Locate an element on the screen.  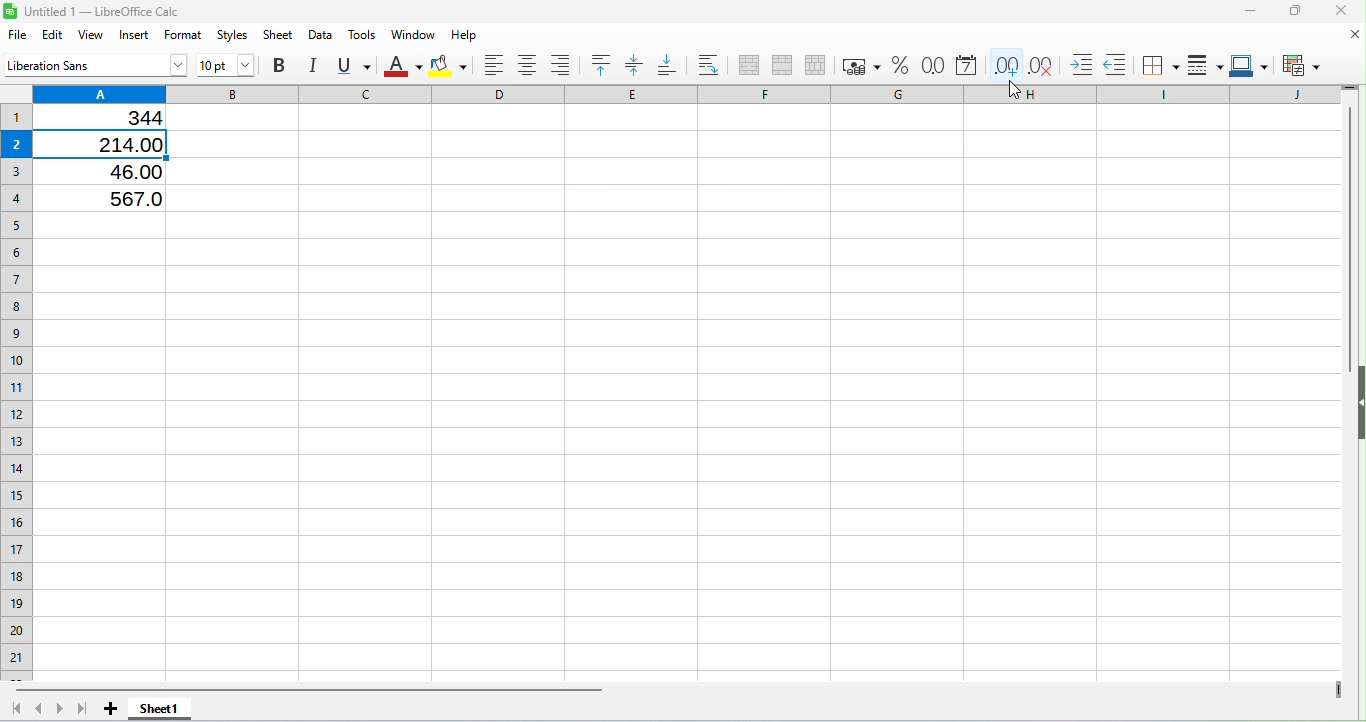
Scroll to last sheet is located at coordinates (84, 708).